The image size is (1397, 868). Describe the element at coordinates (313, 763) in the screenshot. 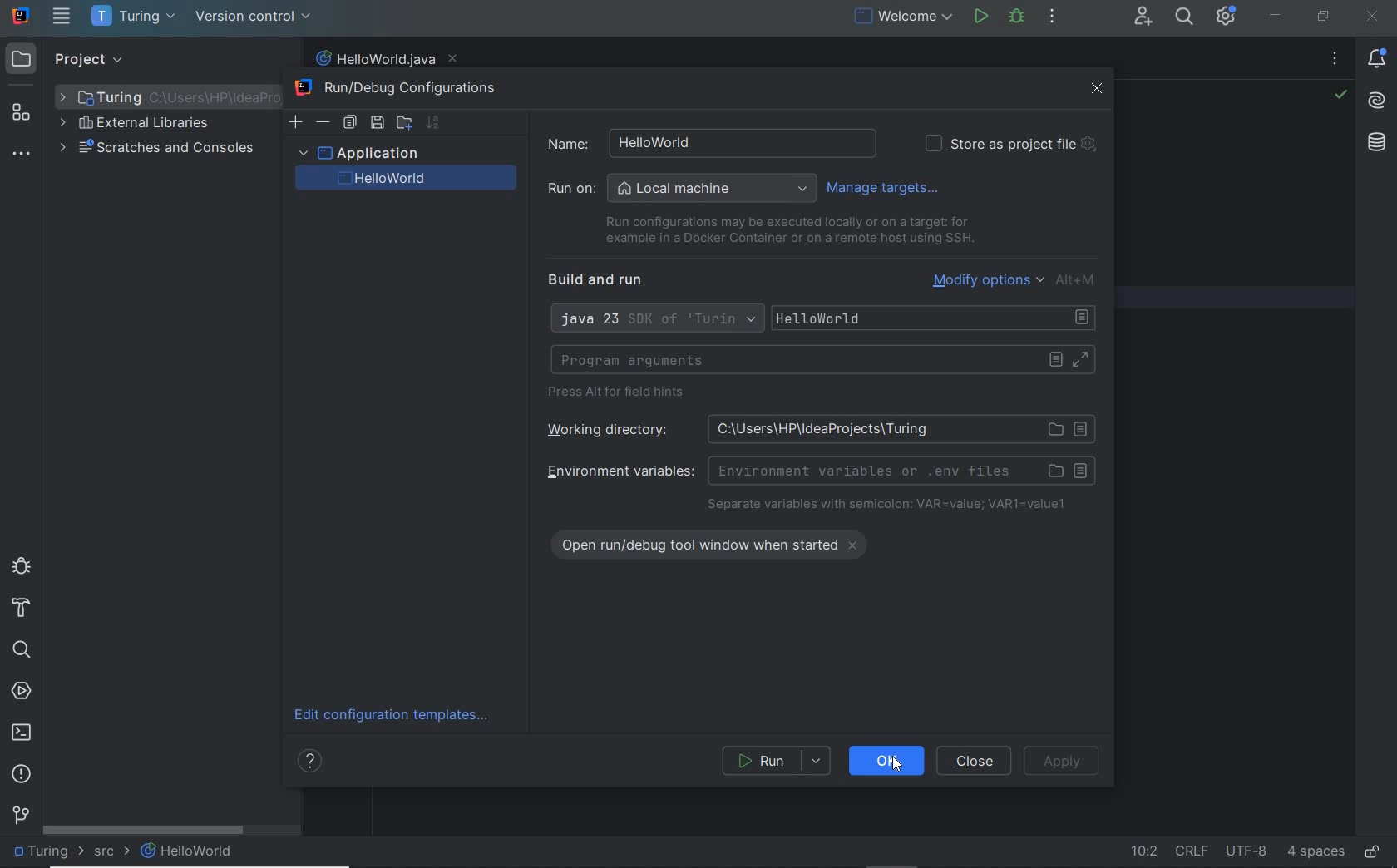

I see `help contents` at that location.